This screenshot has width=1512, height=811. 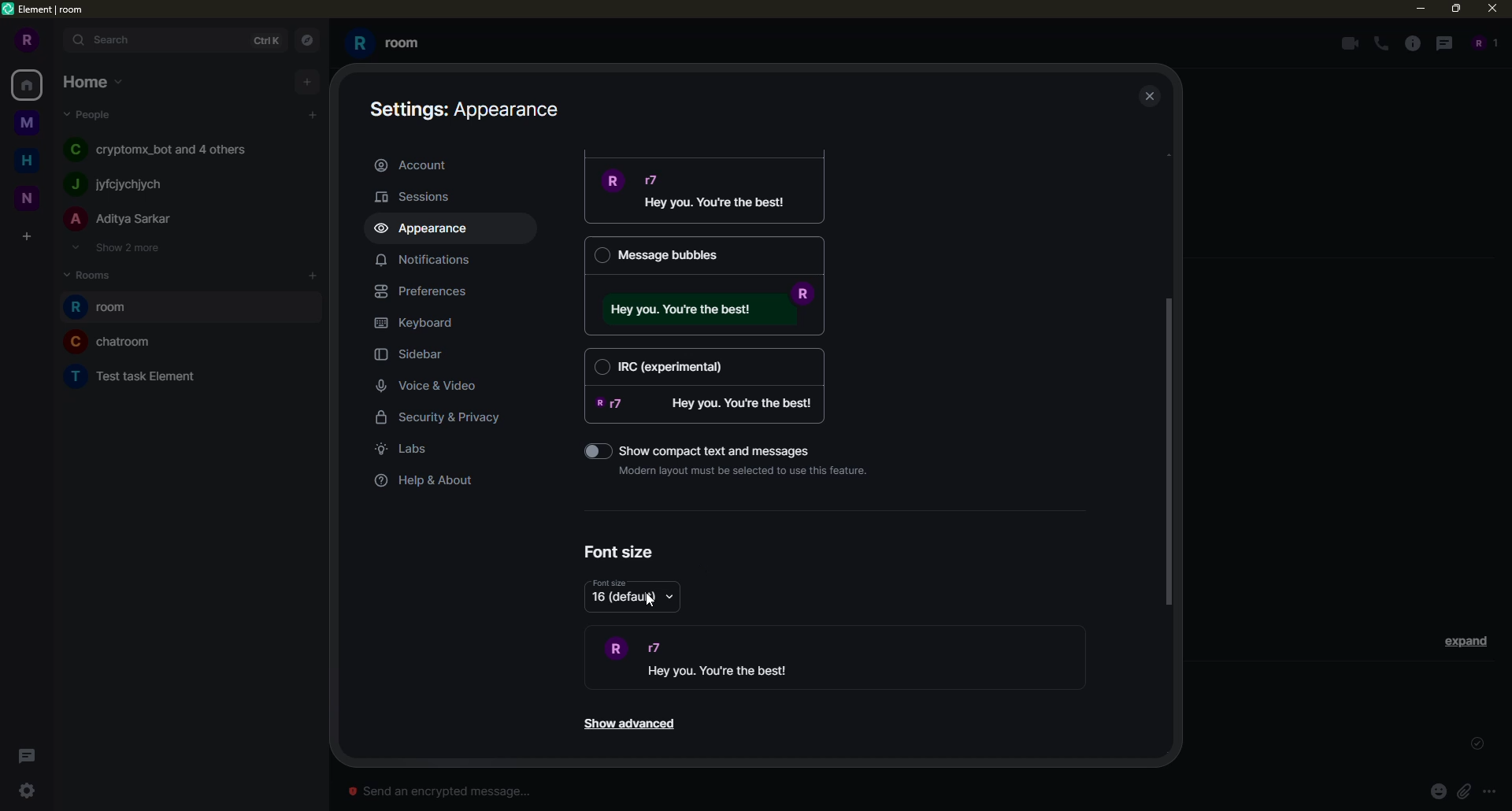 What do you see at coordinates (621, 552) in the screenshot?
I see `font size` at bounding box center [621, 552].